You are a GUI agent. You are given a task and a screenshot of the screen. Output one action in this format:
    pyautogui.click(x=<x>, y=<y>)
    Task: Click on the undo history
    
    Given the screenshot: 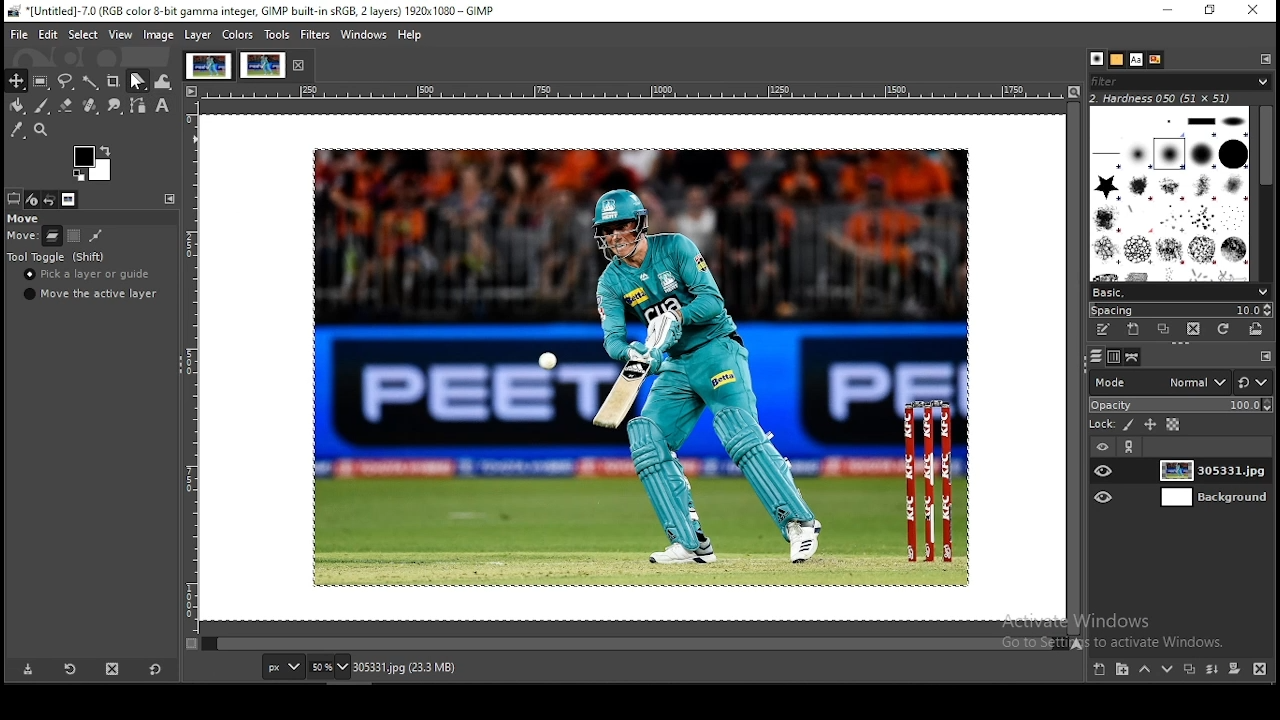 What is the action you would take?
    pyautogui.click(x=52, y=199)
    